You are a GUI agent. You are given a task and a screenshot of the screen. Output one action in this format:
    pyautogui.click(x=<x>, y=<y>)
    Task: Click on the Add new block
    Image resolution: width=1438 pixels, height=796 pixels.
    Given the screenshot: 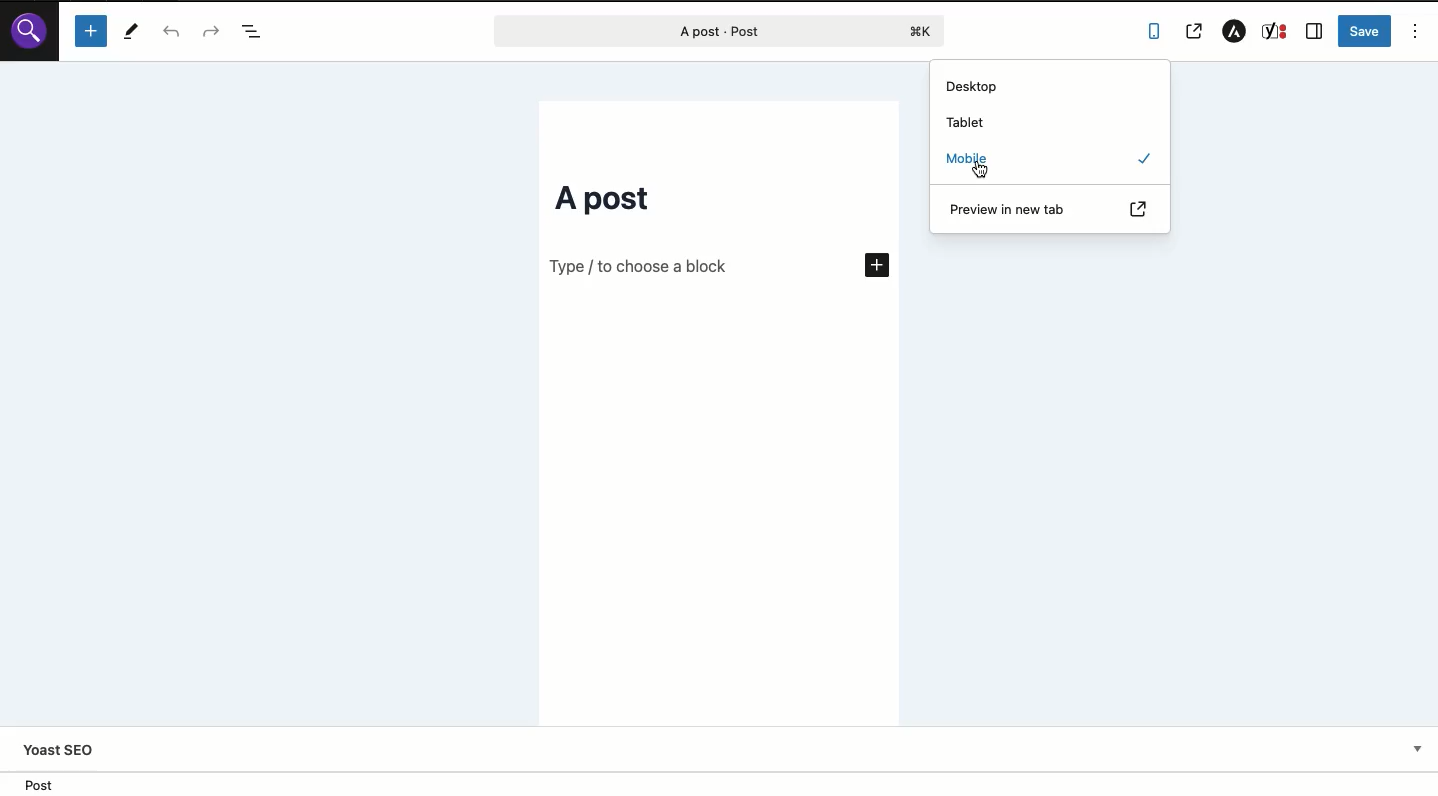 What is the action you would take?
    pyautogui.click(x=93, y=32)
    